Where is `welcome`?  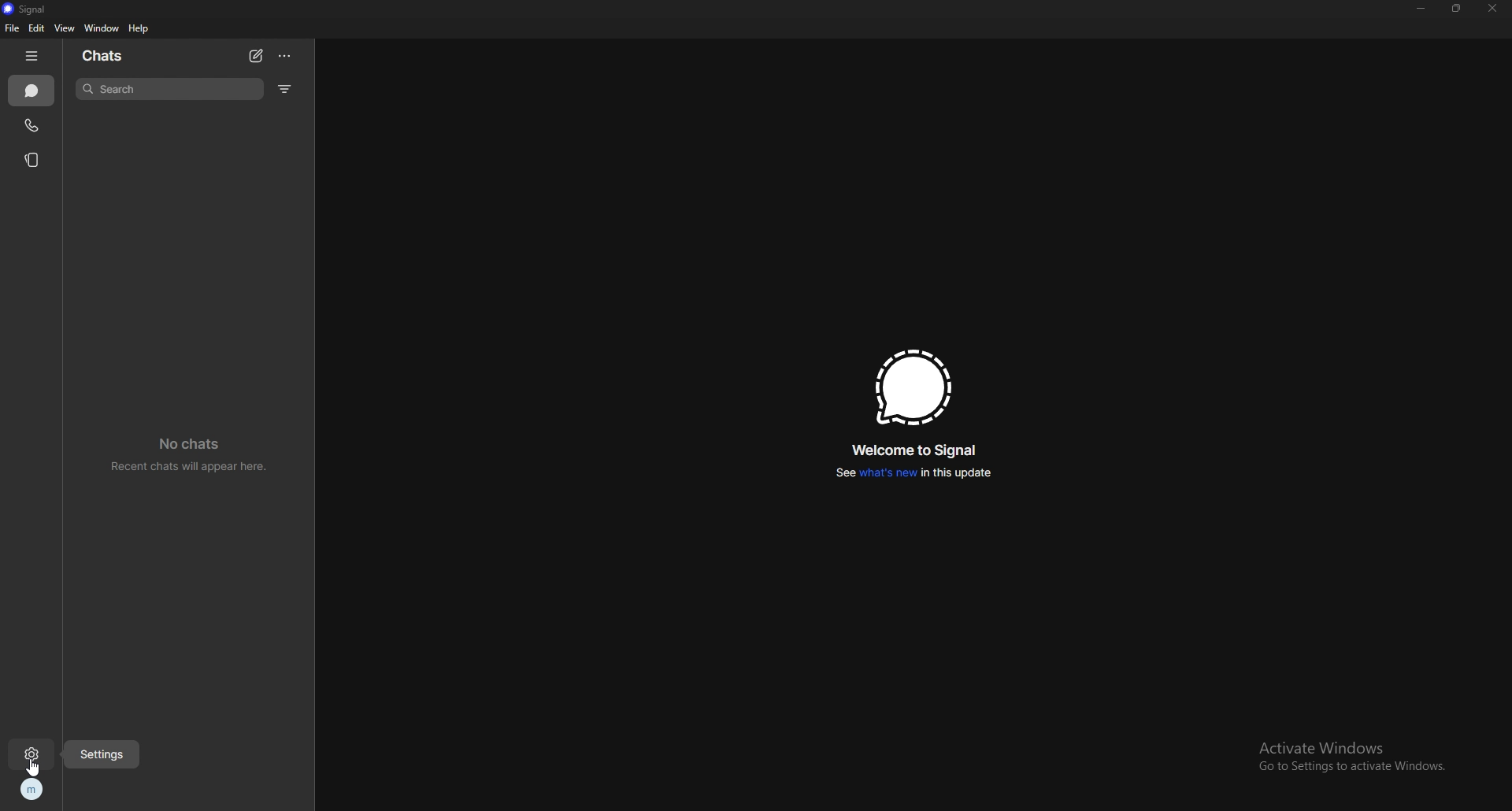
welcome is located at coordinates (917, 450).